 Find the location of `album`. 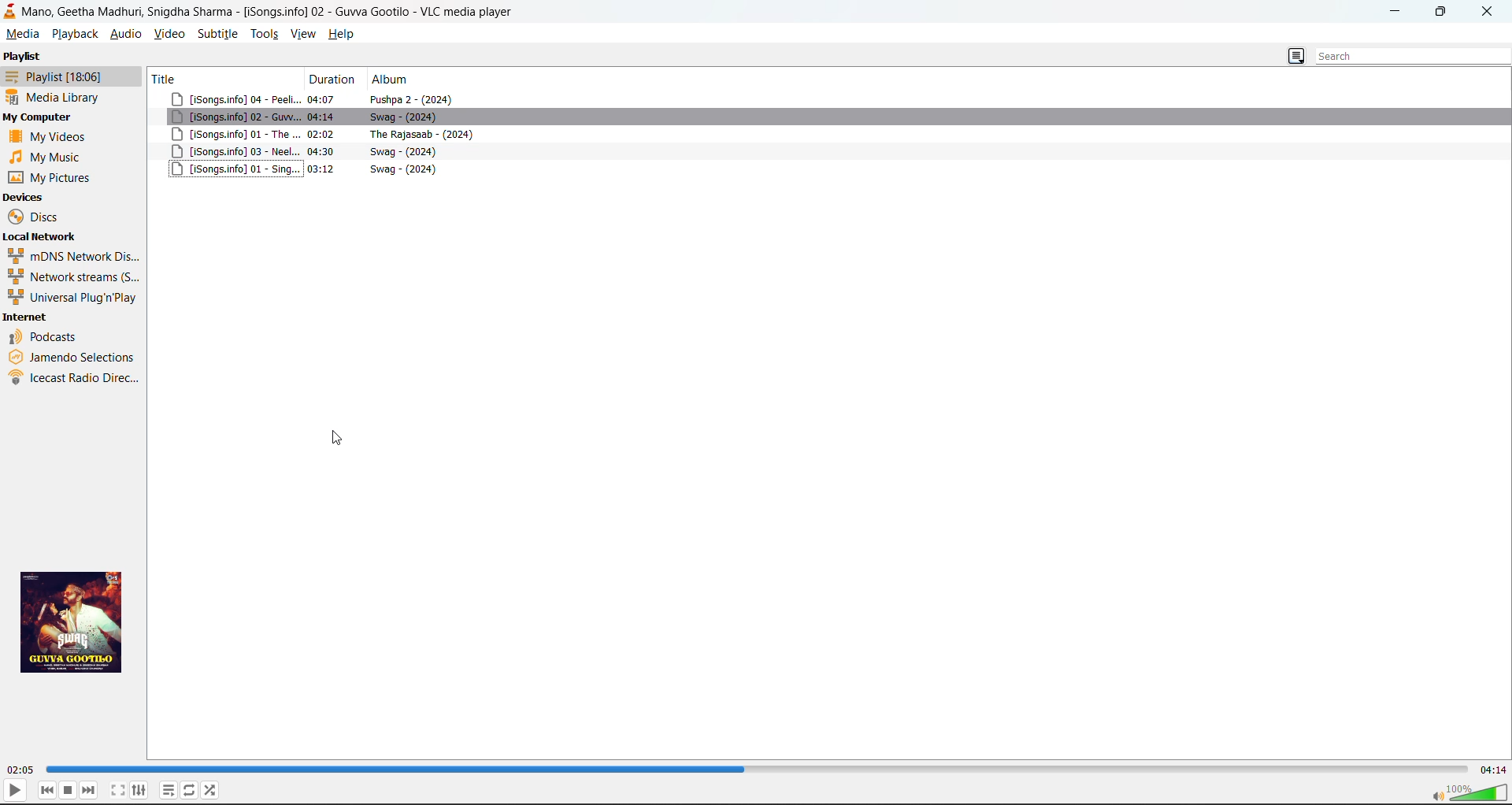

album is located at coordinates (395, 80).